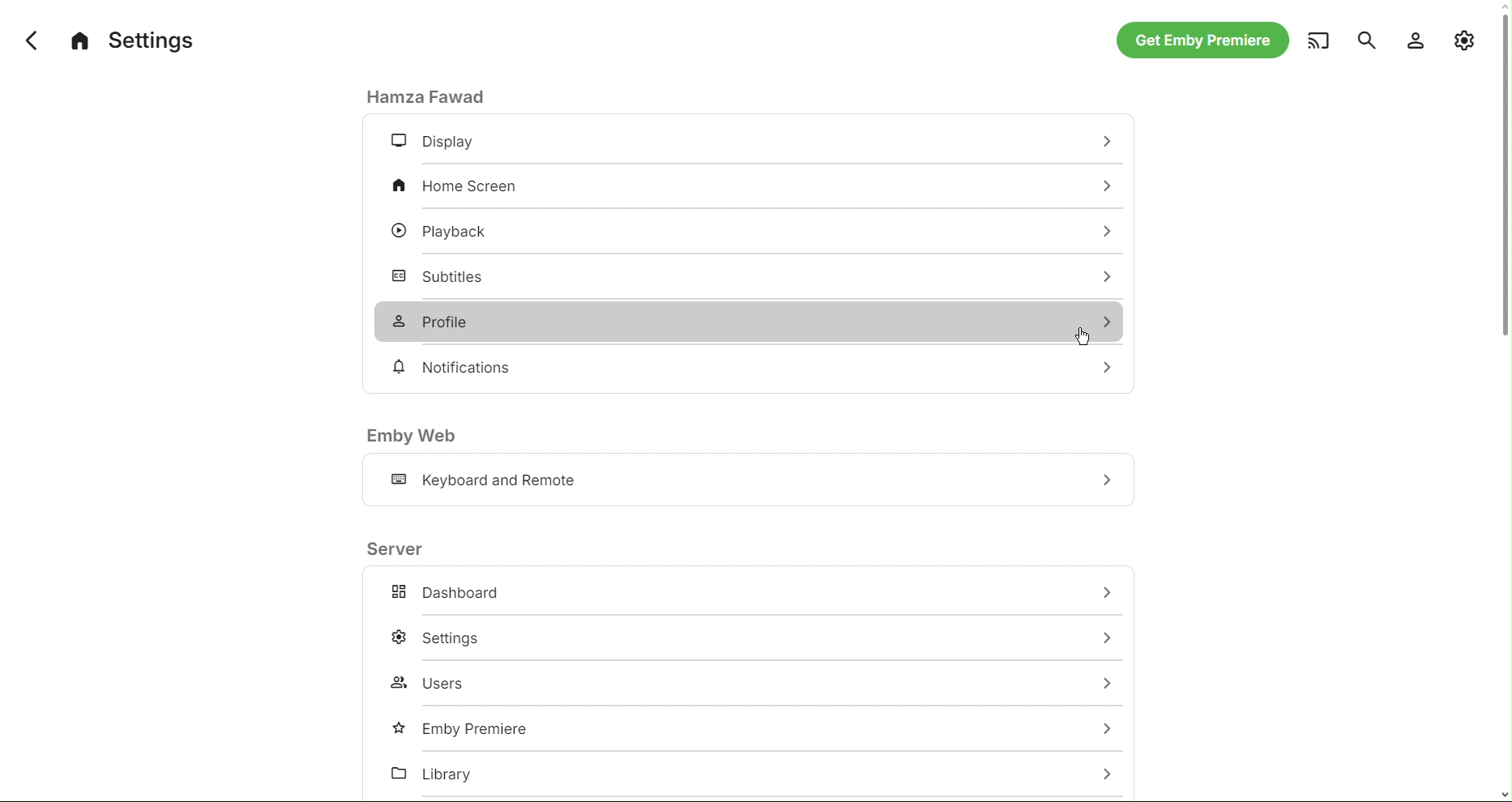  What do you see at coordinates (1109, 143) in the screenshot?
I see `go` at bounding box center [1109, 143].